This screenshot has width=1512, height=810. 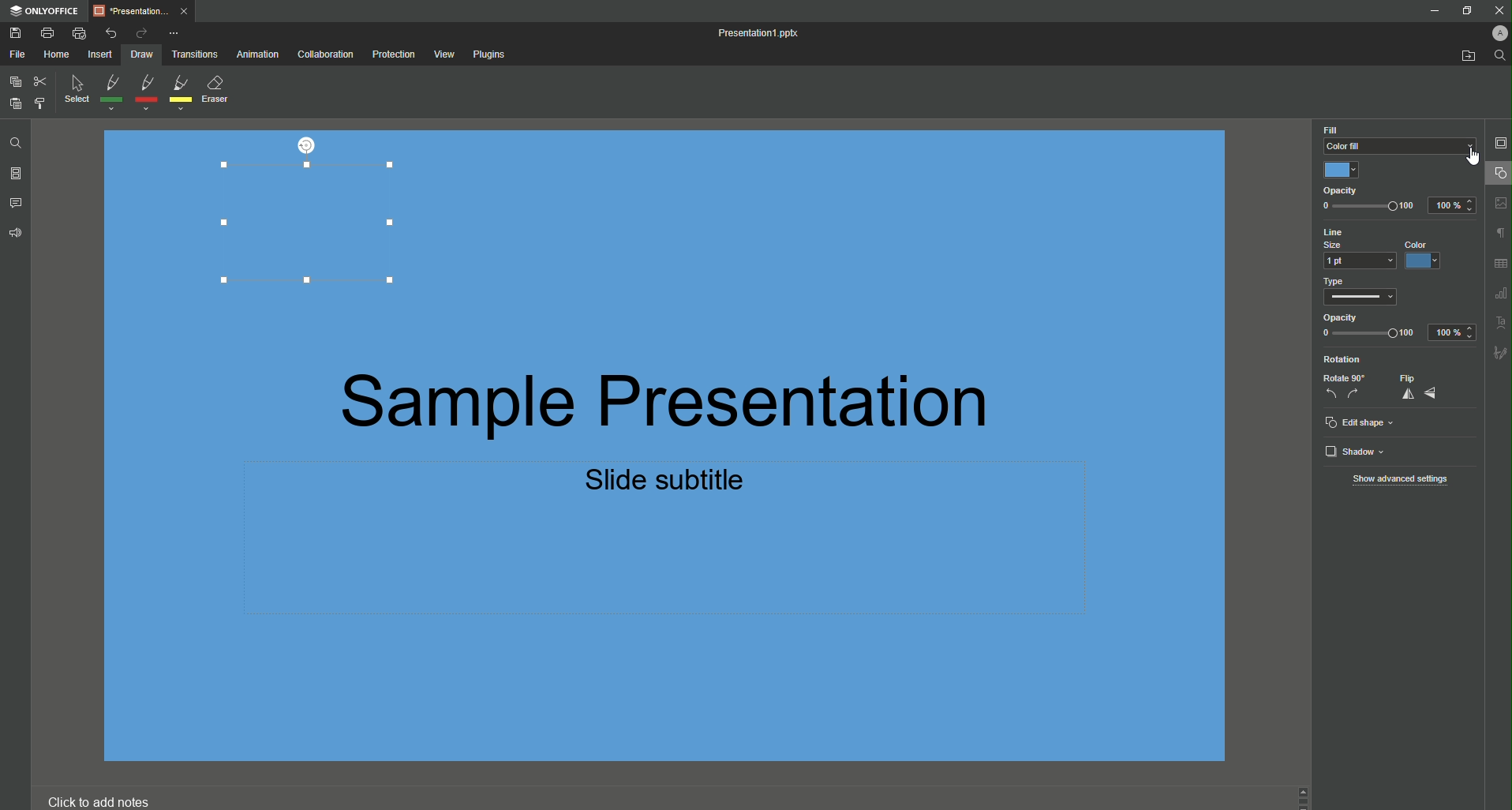 I want to click on Slides, so click(x=17, y=173).